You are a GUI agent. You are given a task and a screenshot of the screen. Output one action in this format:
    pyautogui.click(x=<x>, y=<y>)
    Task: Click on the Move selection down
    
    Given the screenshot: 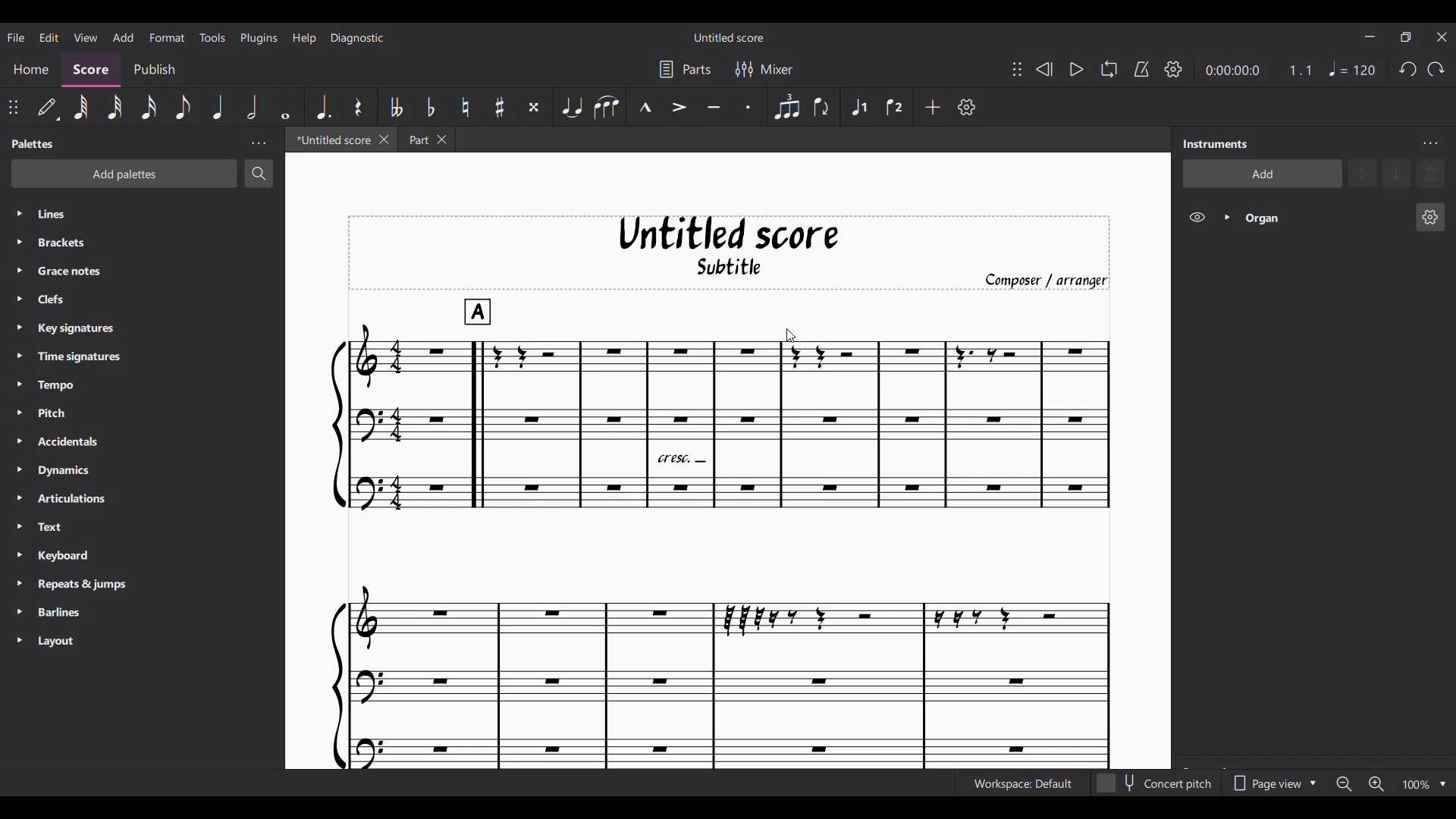 What is the action you would take?
    pyautogui.click(x=1396, y=174)
    